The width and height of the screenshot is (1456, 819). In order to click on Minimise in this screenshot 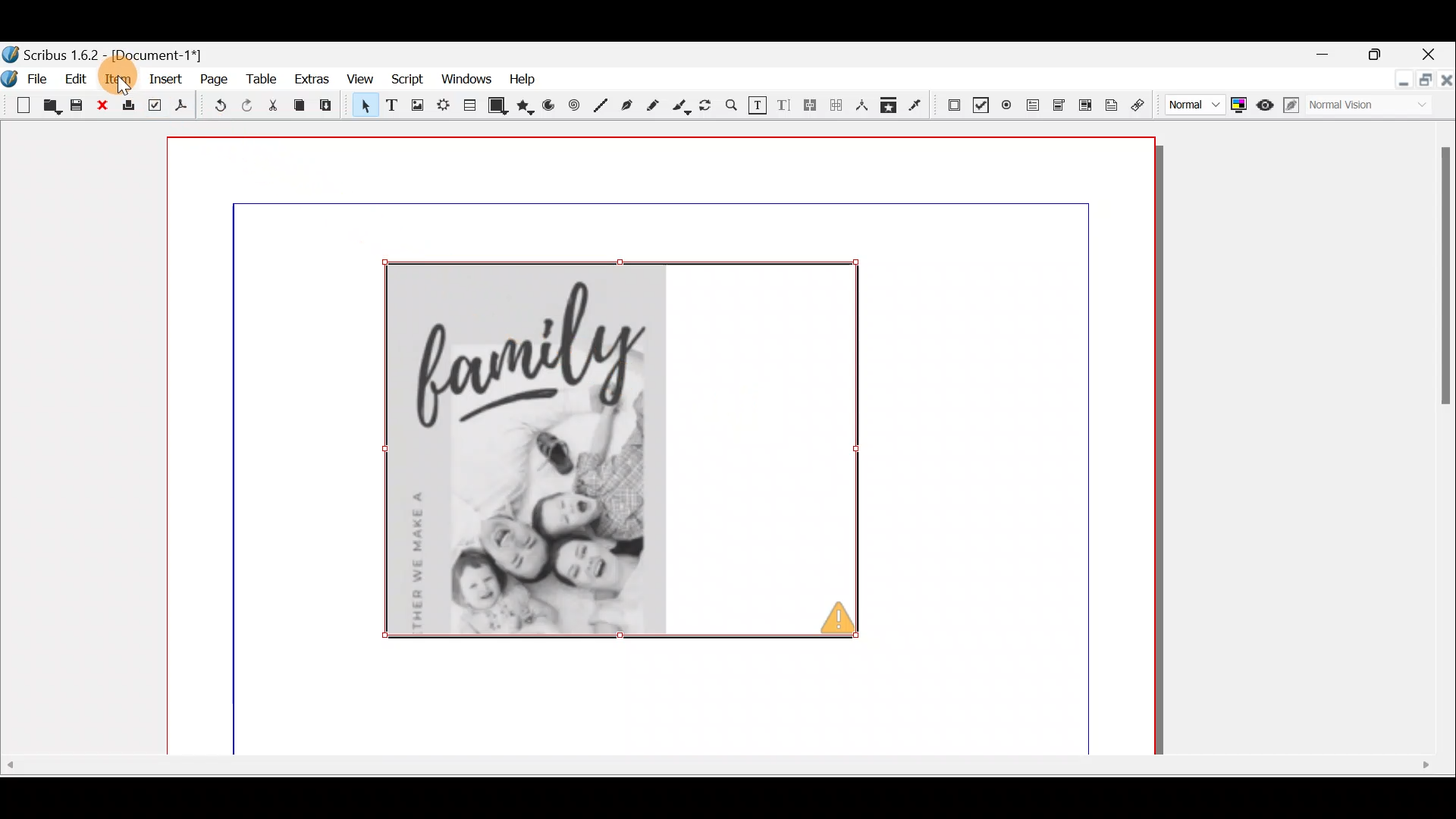, I will do `click(1394, 83)`.